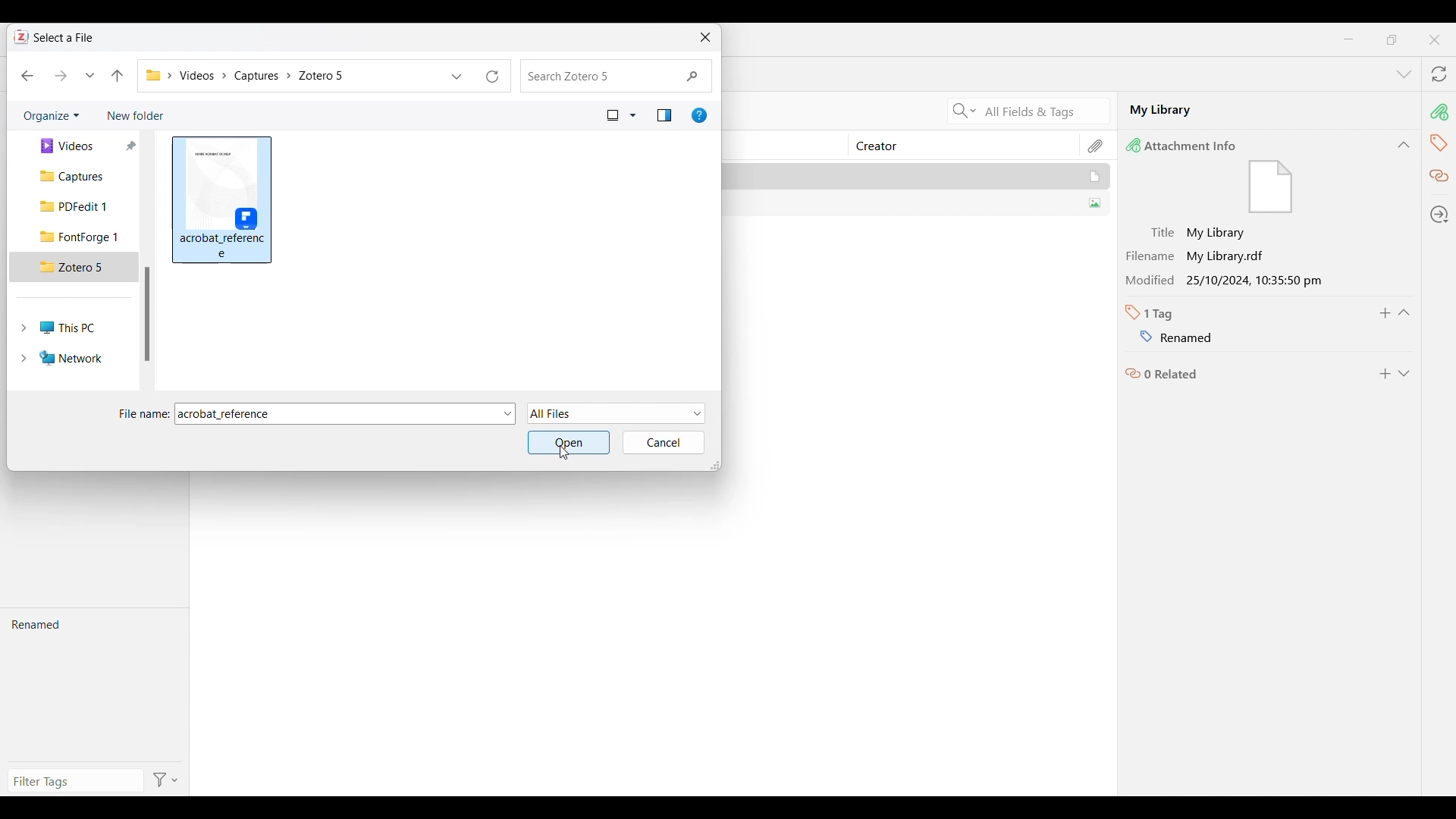 This screenshot has height=819, width=1456. I want to click on File formats, so click(616, 413).